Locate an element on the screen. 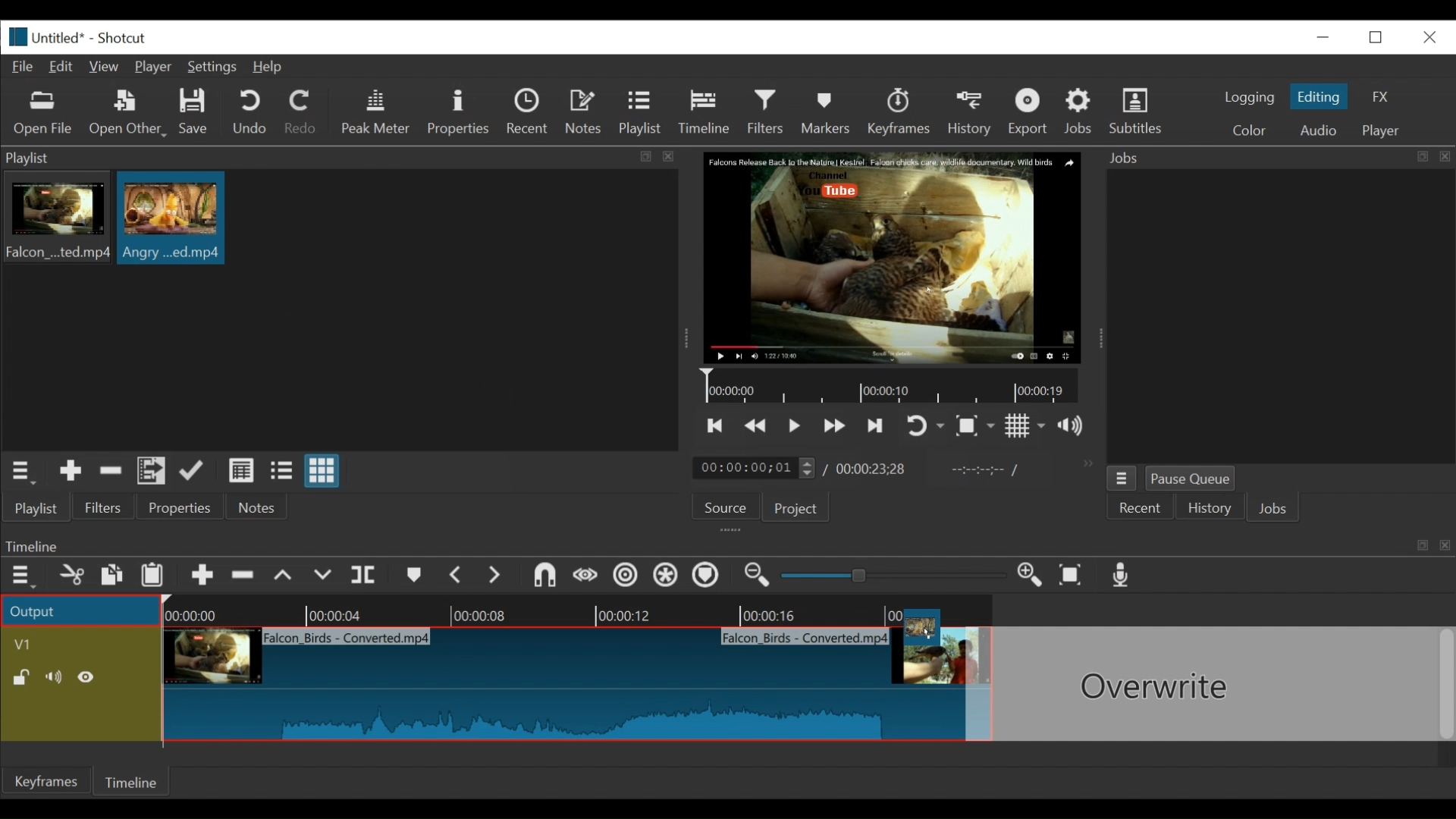  Previous marker is located at coordinates (457, 578).